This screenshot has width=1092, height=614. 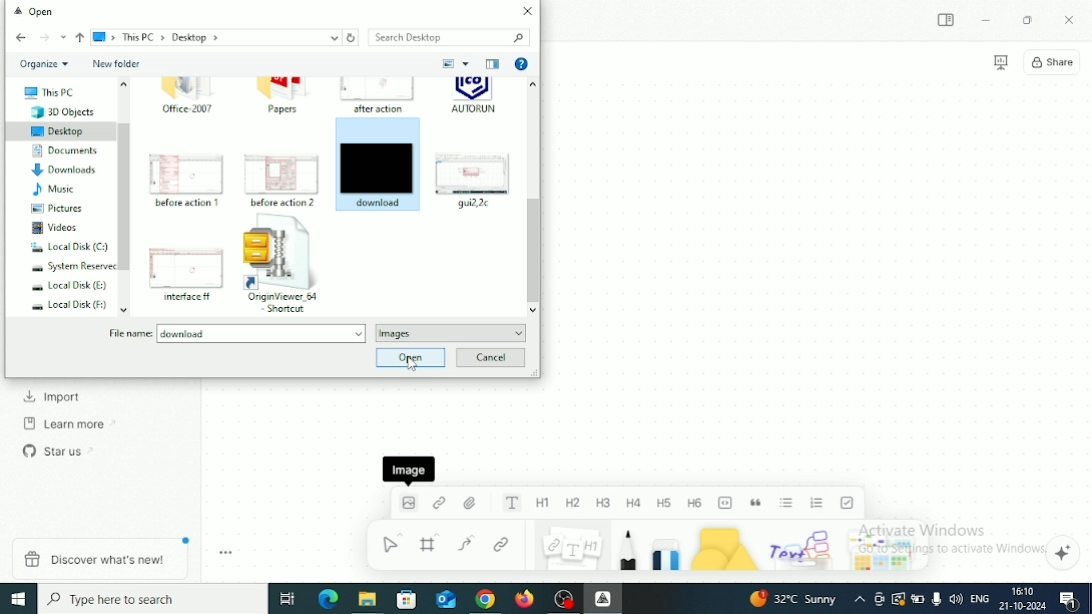 What do you see at coordinates (57, 450) in the screenshot?
I see `Star us` at bounding box center [57, 450].